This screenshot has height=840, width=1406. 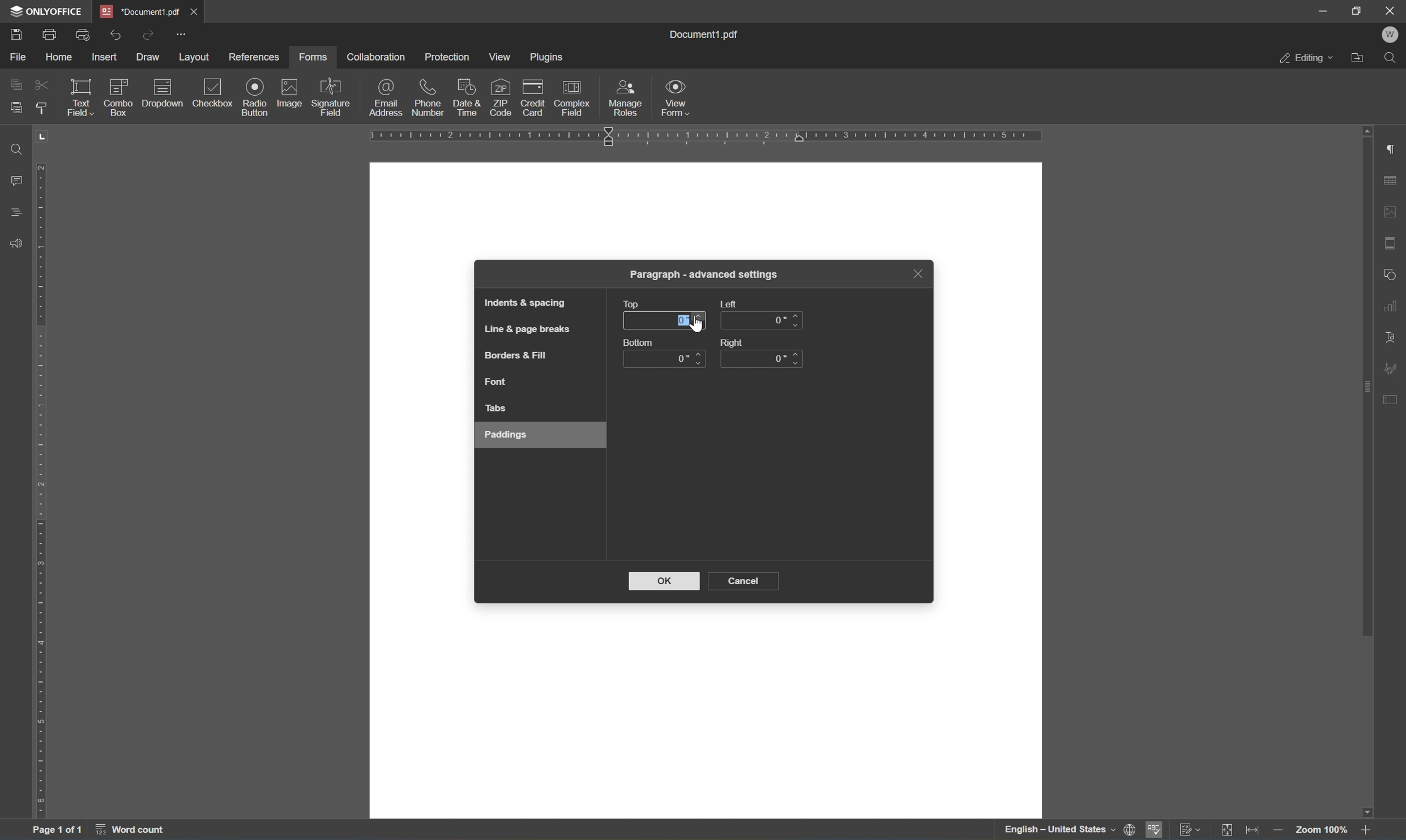 What do you see at coordinates (1367, 829) in the screenshot?
I see `zoom in` at bounding box center [1367, 829].